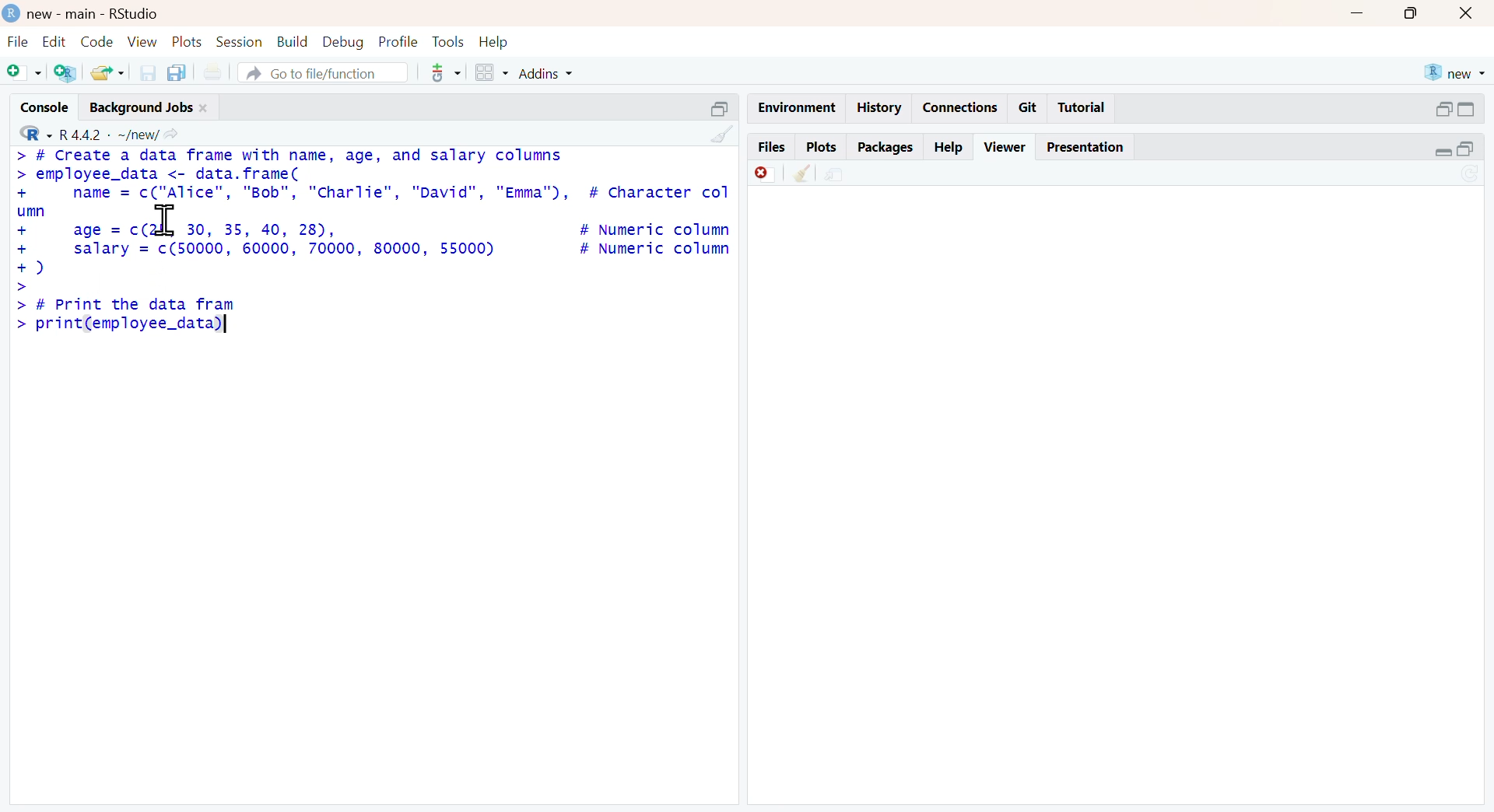 The height and width of the screenshot is (812, 1494). What do you see at coordinates (497, 41) in the screenshot?
I see `Help` at bounding box center [497, 41].